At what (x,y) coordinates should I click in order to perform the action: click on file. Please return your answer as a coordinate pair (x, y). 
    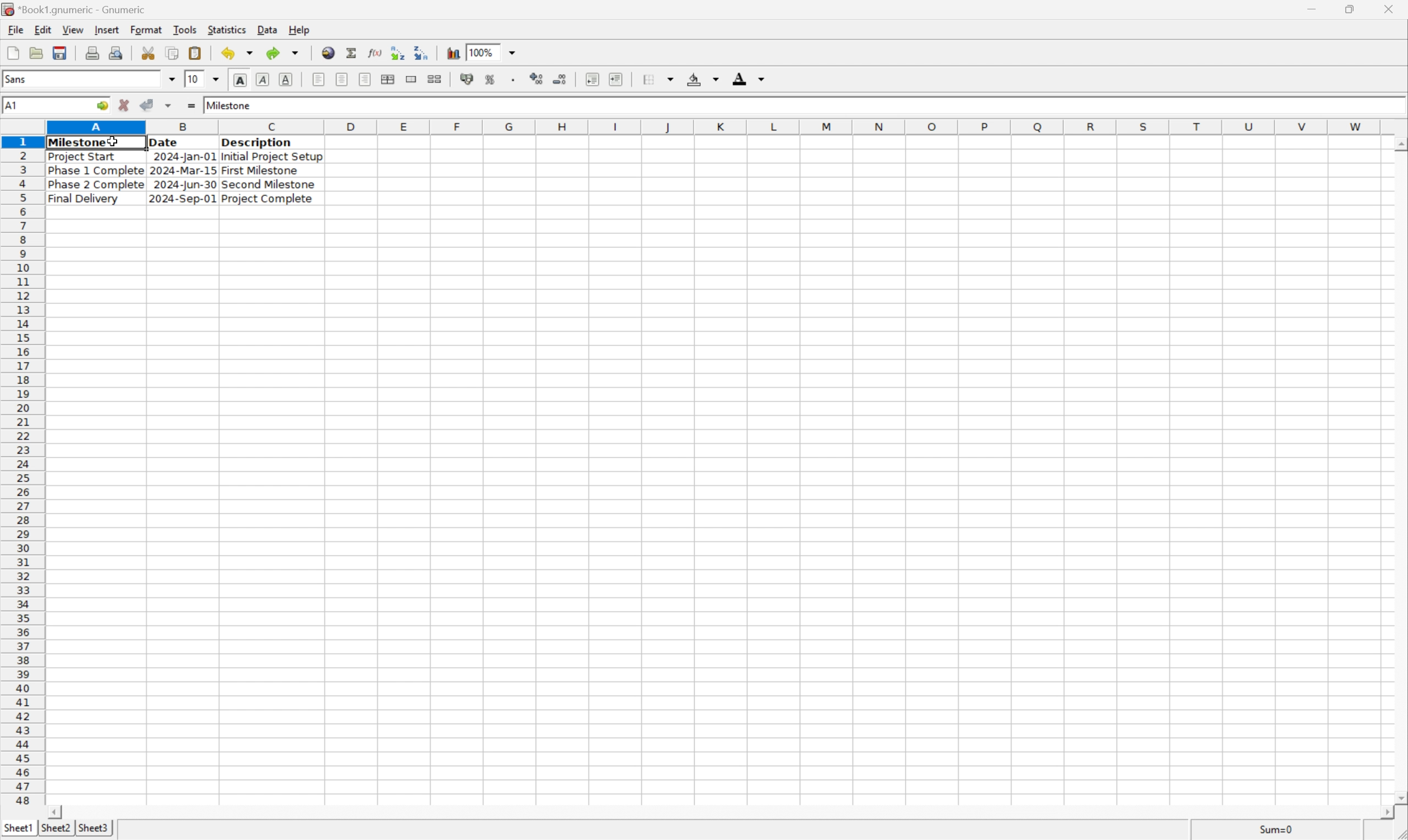
    Looking at the image, I should click on (15, 30).